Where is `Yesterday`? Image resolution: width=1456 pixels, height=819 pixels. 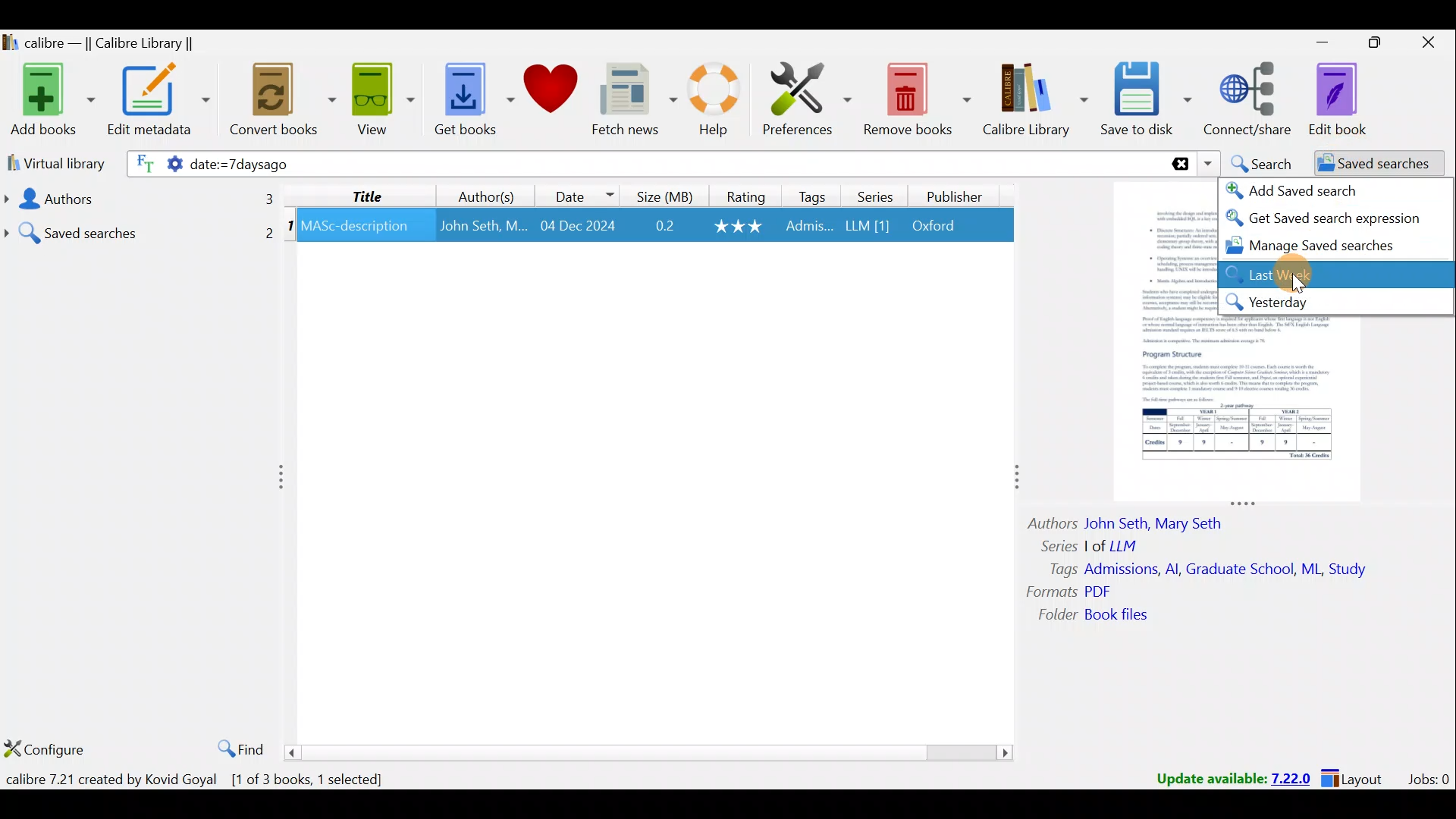 Yesterday is located at coordinates (1334, 302).